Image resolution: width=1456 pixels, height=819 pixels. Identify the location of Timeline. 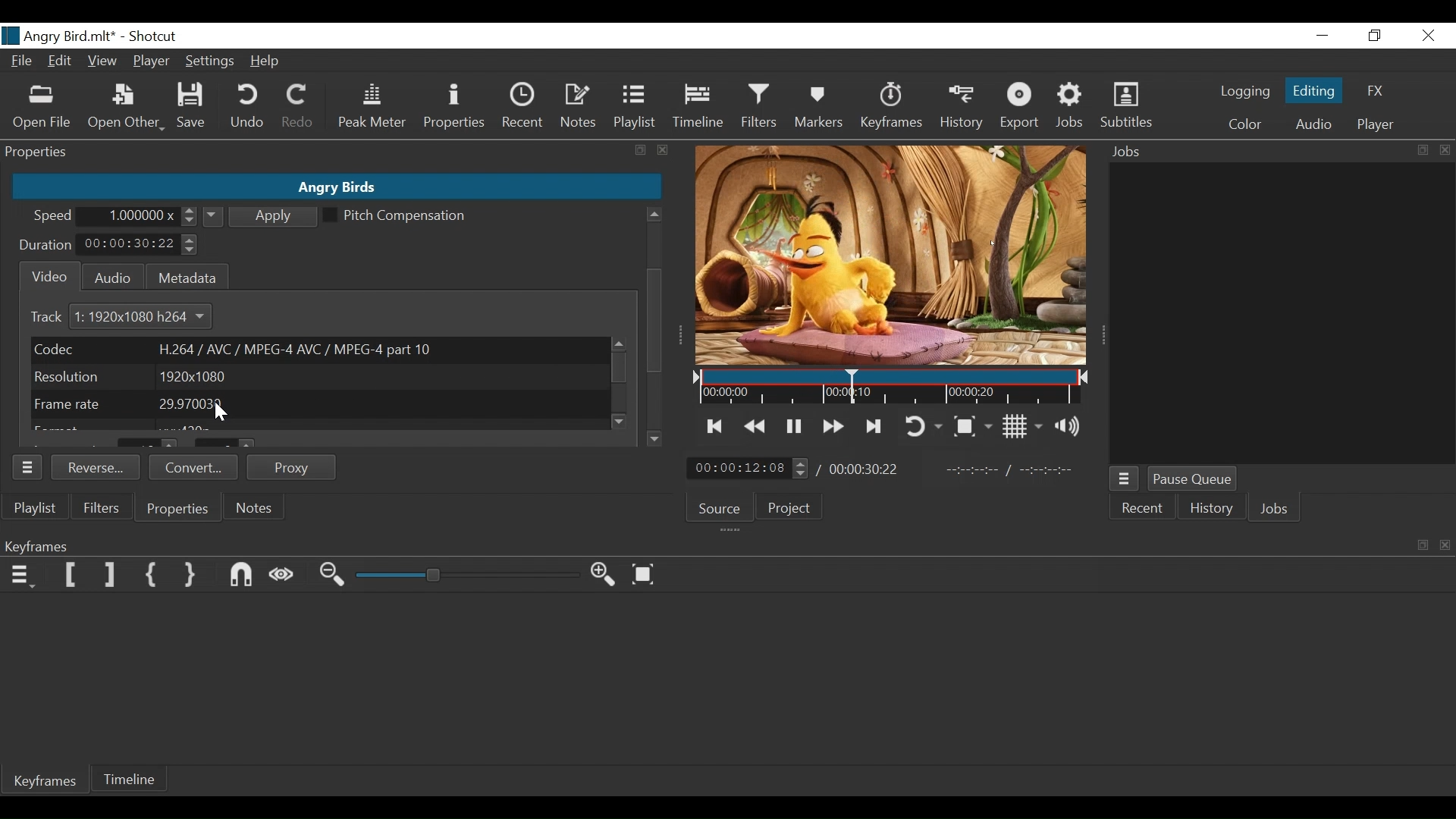
(131, 780).